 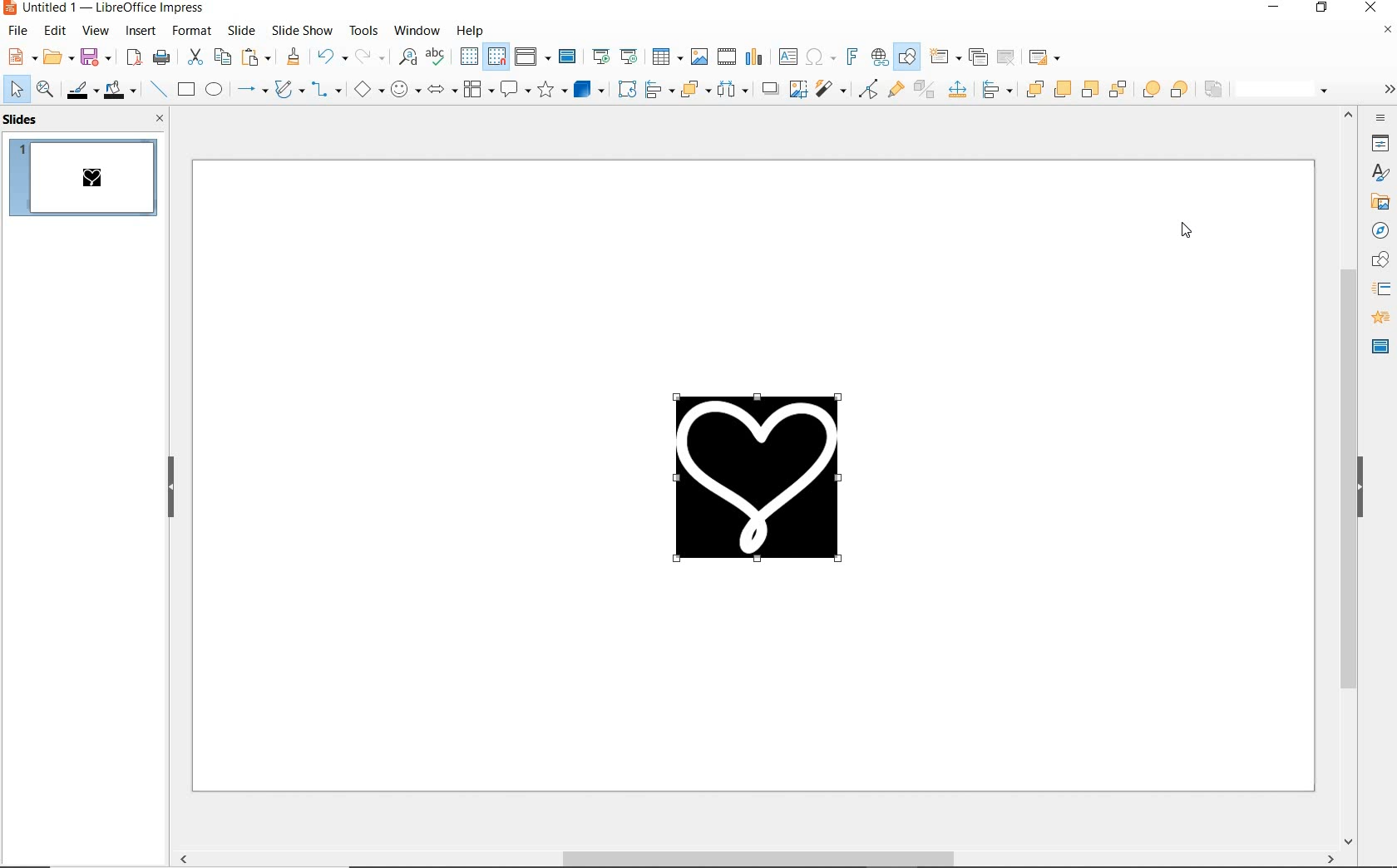 What do you see at coordinates (1059, 88) in the screenshot?
I see `bring forward` at bounding box center [1059, 88].